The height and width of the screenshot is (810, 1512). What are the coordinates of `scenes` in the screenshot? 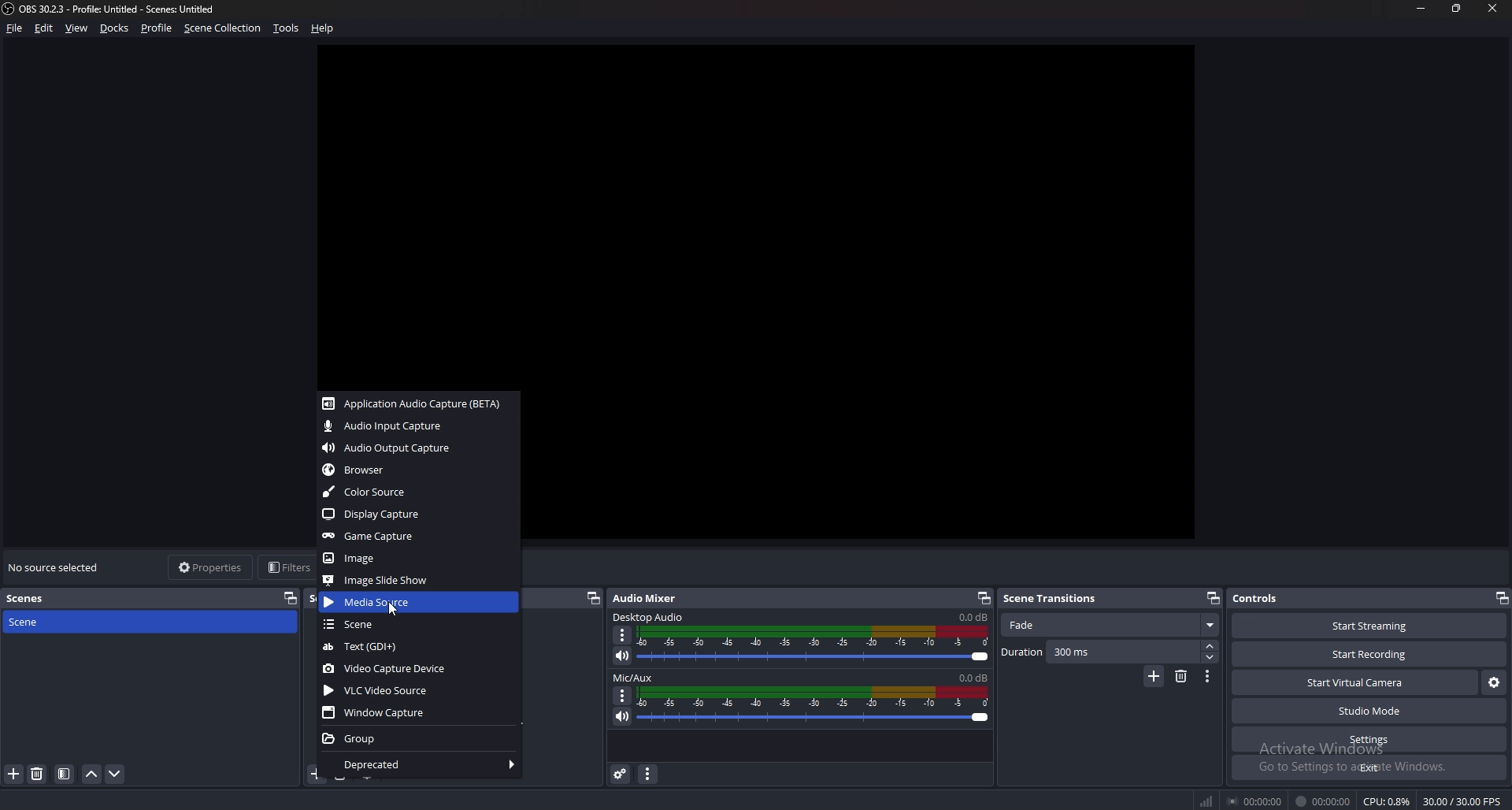 It's located at (33, 597).